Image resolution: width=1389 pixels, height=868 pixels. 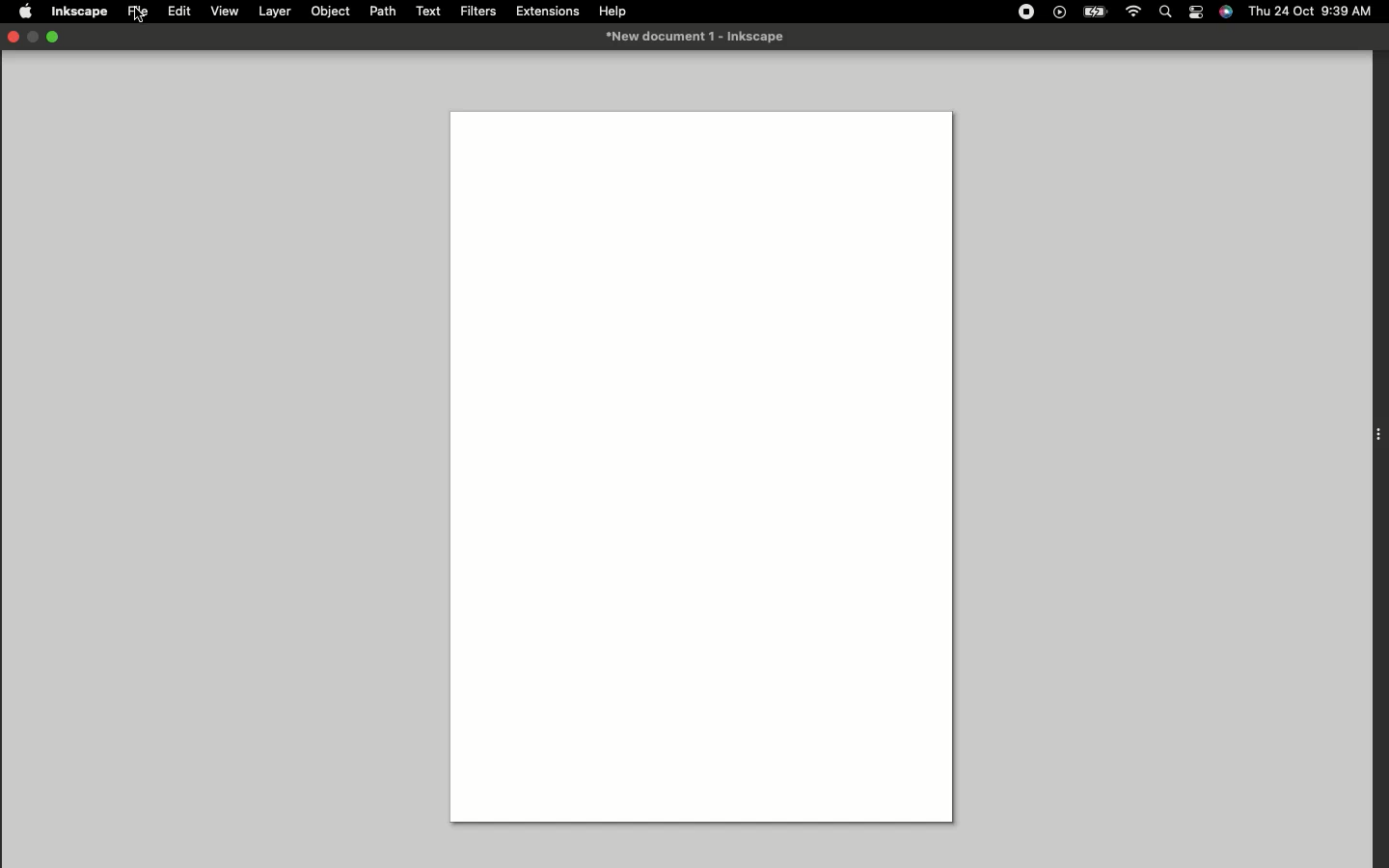 What do you see at coordinates (694, 37) in the screenshot?
I see `New document 1-inkspace` at bounding box center [694, 37].